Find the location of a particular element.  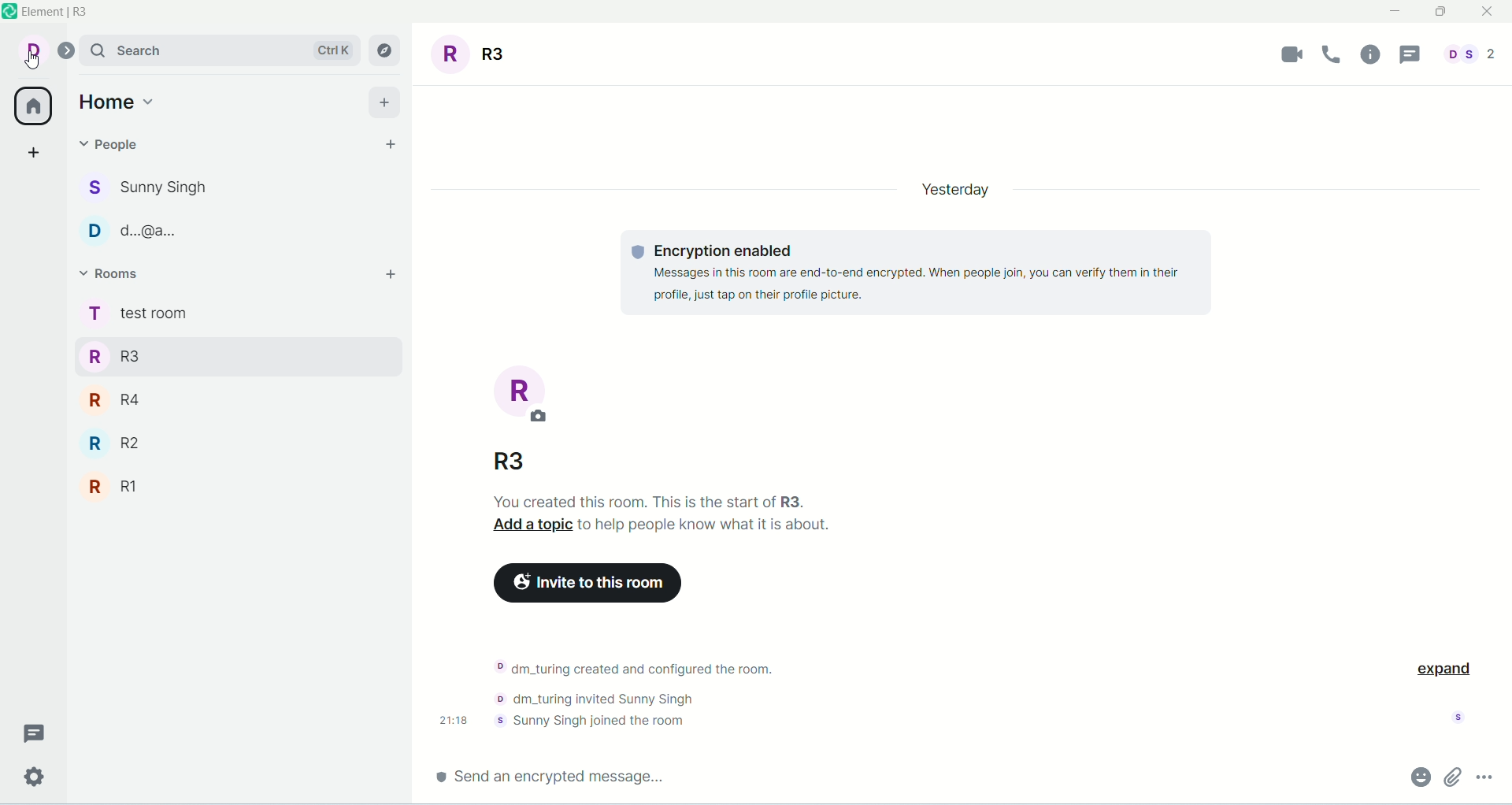

room is located at coordinates (523, 395).